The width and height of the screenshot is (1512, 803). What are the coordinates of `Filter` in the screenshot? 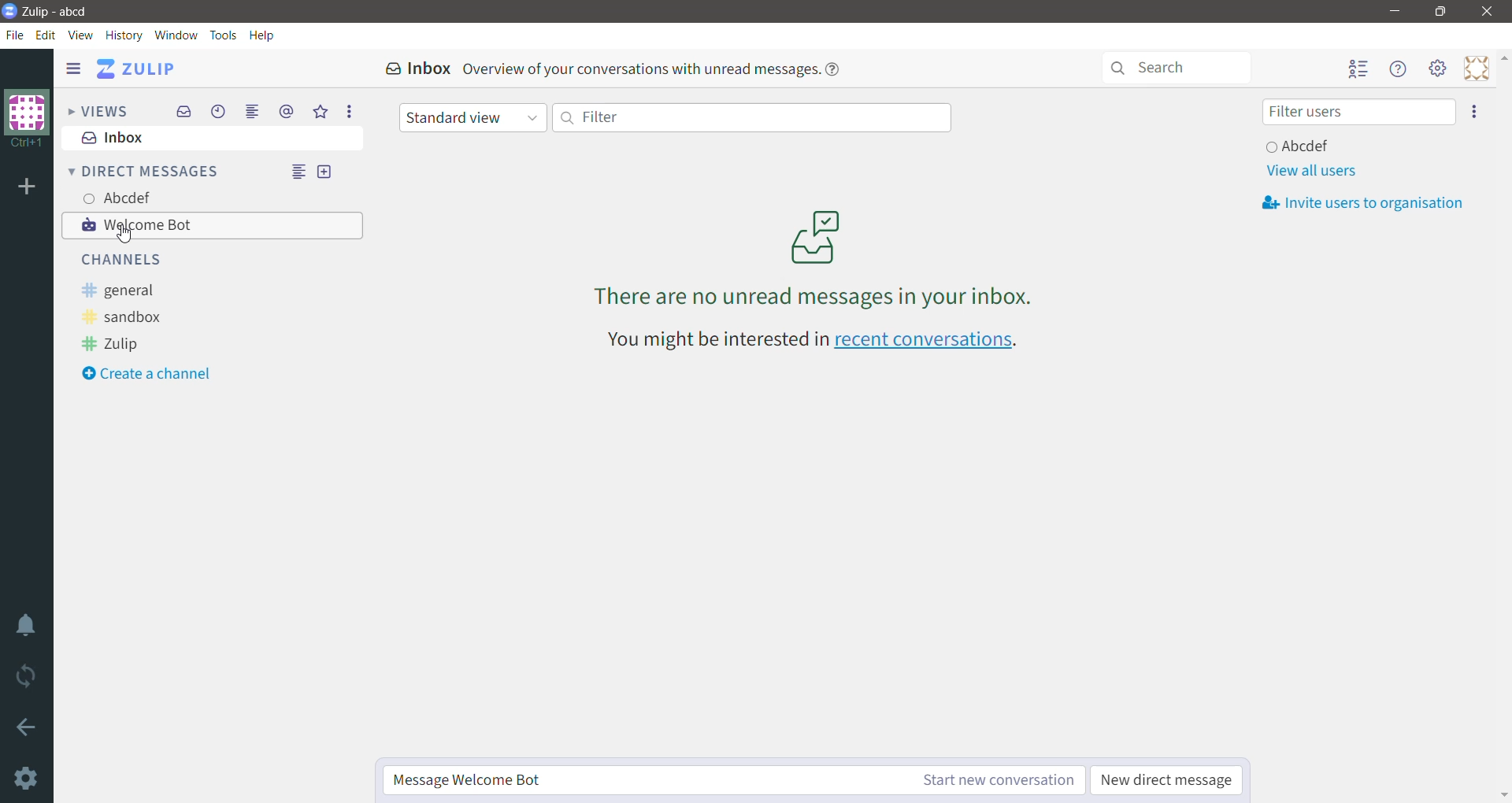 It's located at (750, 117).